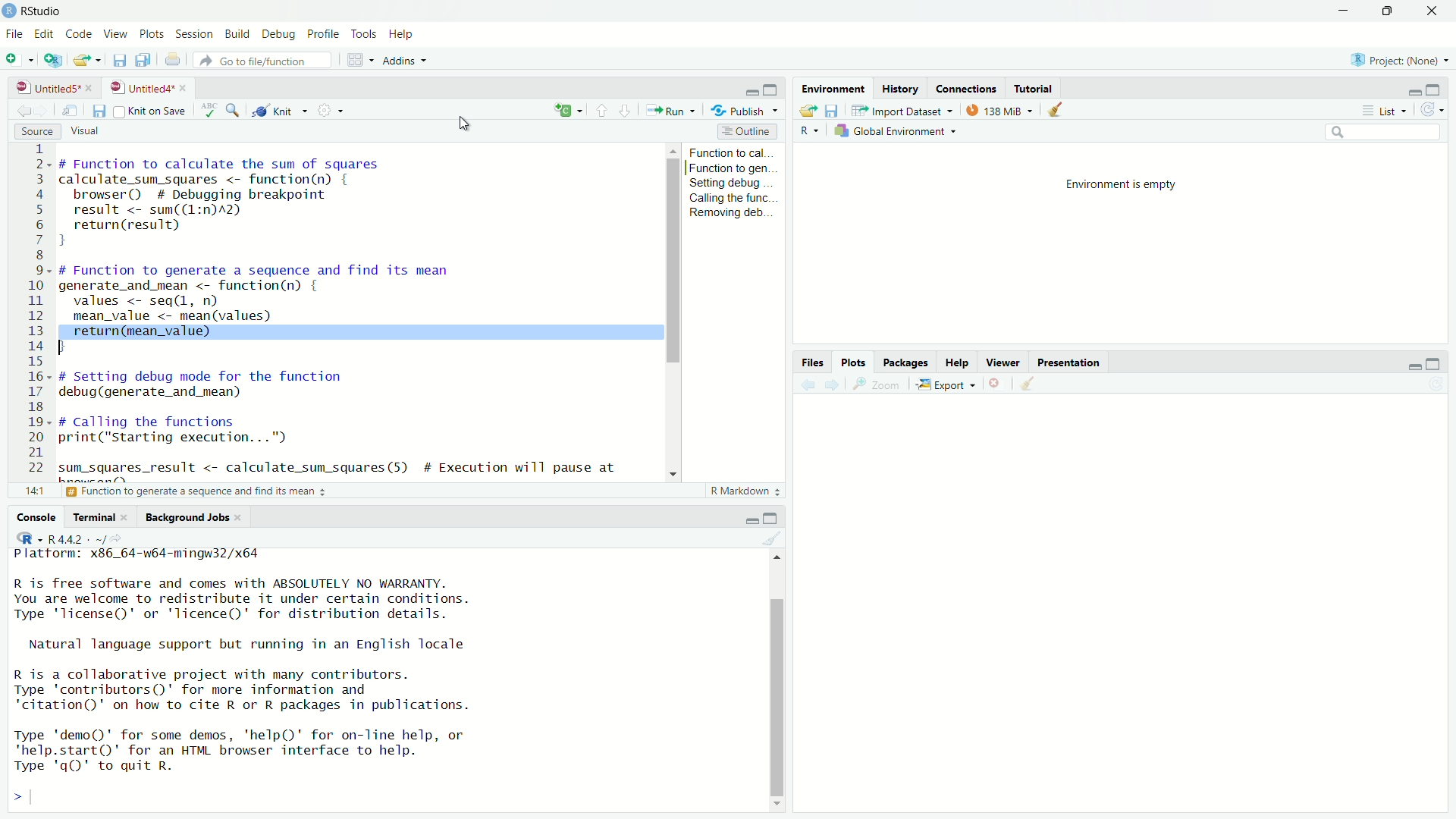  What do you see at coordinates (13, 35) in the screenshot?
I see `File` at bounding box center [13, 35].